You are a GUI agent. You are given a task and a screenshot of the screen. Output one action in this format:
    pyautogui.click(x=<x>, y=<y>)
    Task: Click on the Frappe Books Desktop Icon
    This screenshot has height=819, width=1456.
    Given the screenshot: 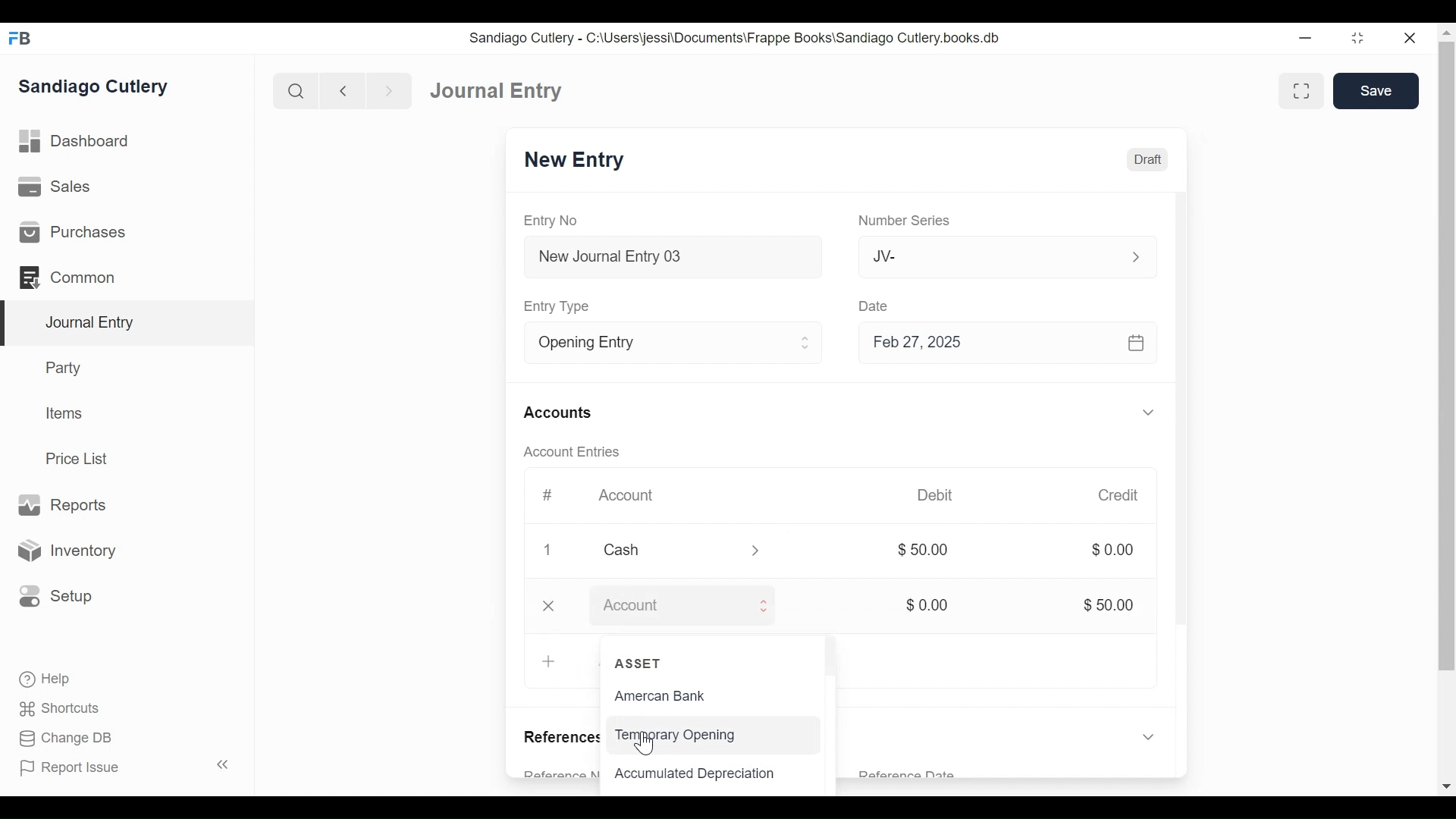 What is the action you would take?
    pyautogui.click(x=20, y=39)
    